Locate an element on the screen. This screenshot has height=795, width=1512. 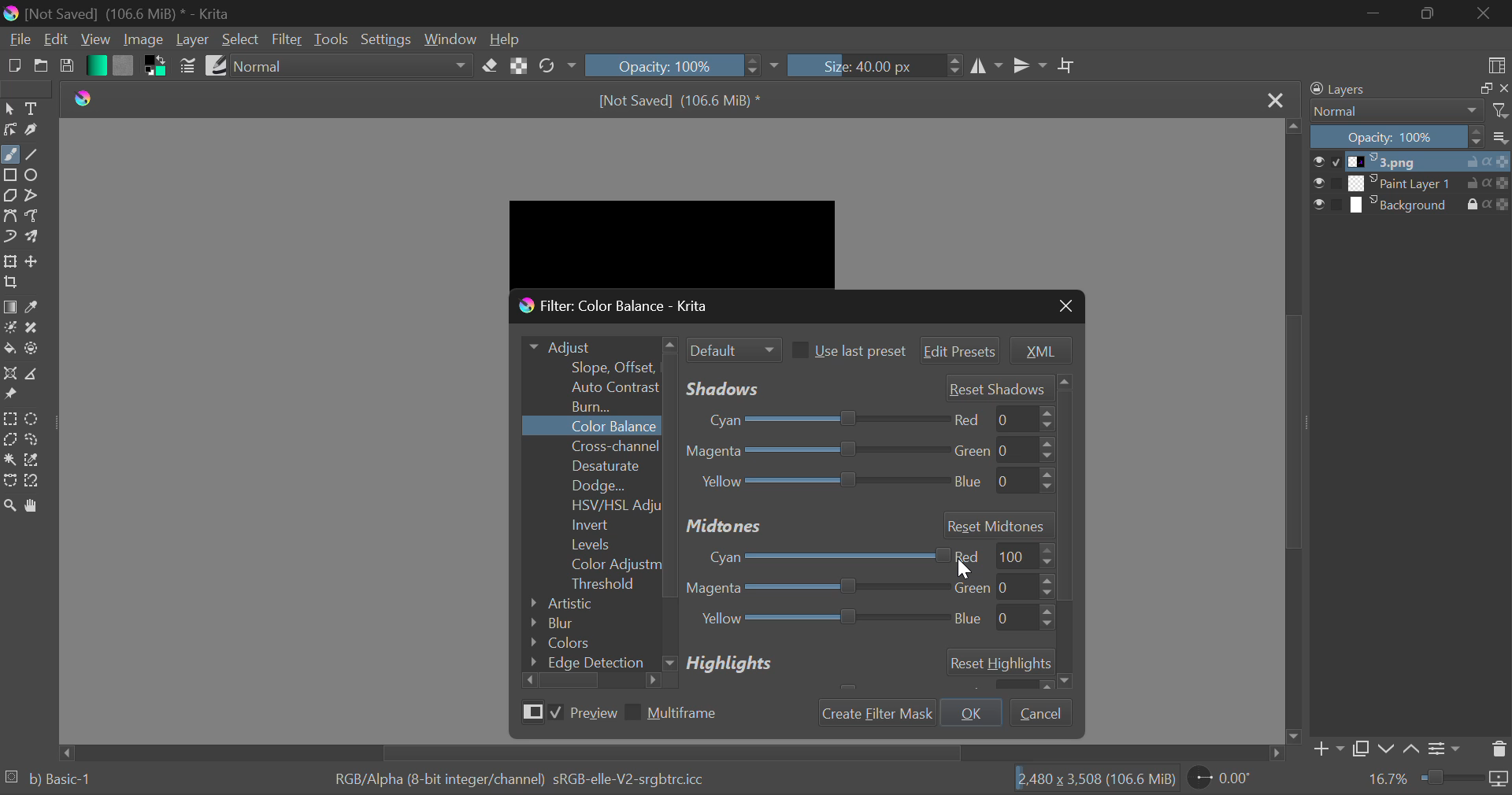
Cyan-Red Adjustment Slider is located at coordinates (818, 554).